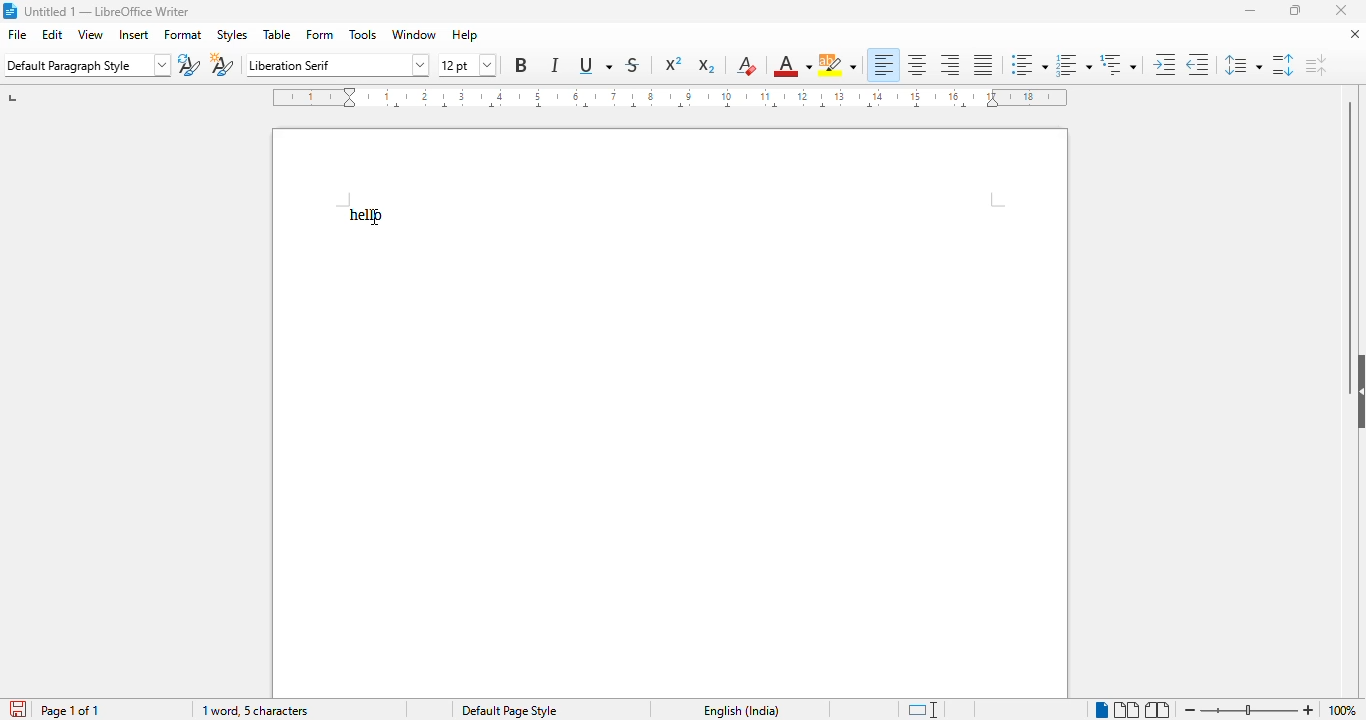 This screenshot has width=1366, height=720. What do you see at coordinates (1190, 709) in the screenshot?
I see `zoom out` at bounding box center [1190, 709].